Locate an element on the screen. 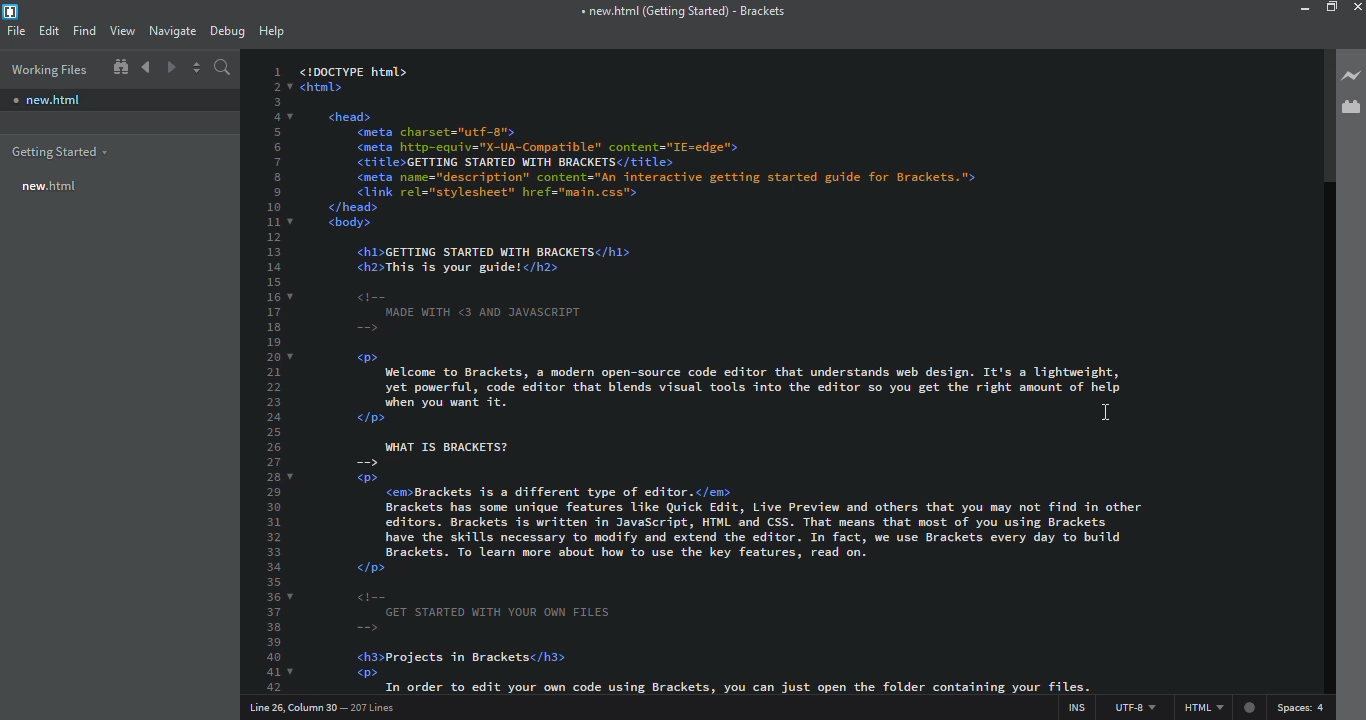  maximize is located at coordinates (1332, 8).